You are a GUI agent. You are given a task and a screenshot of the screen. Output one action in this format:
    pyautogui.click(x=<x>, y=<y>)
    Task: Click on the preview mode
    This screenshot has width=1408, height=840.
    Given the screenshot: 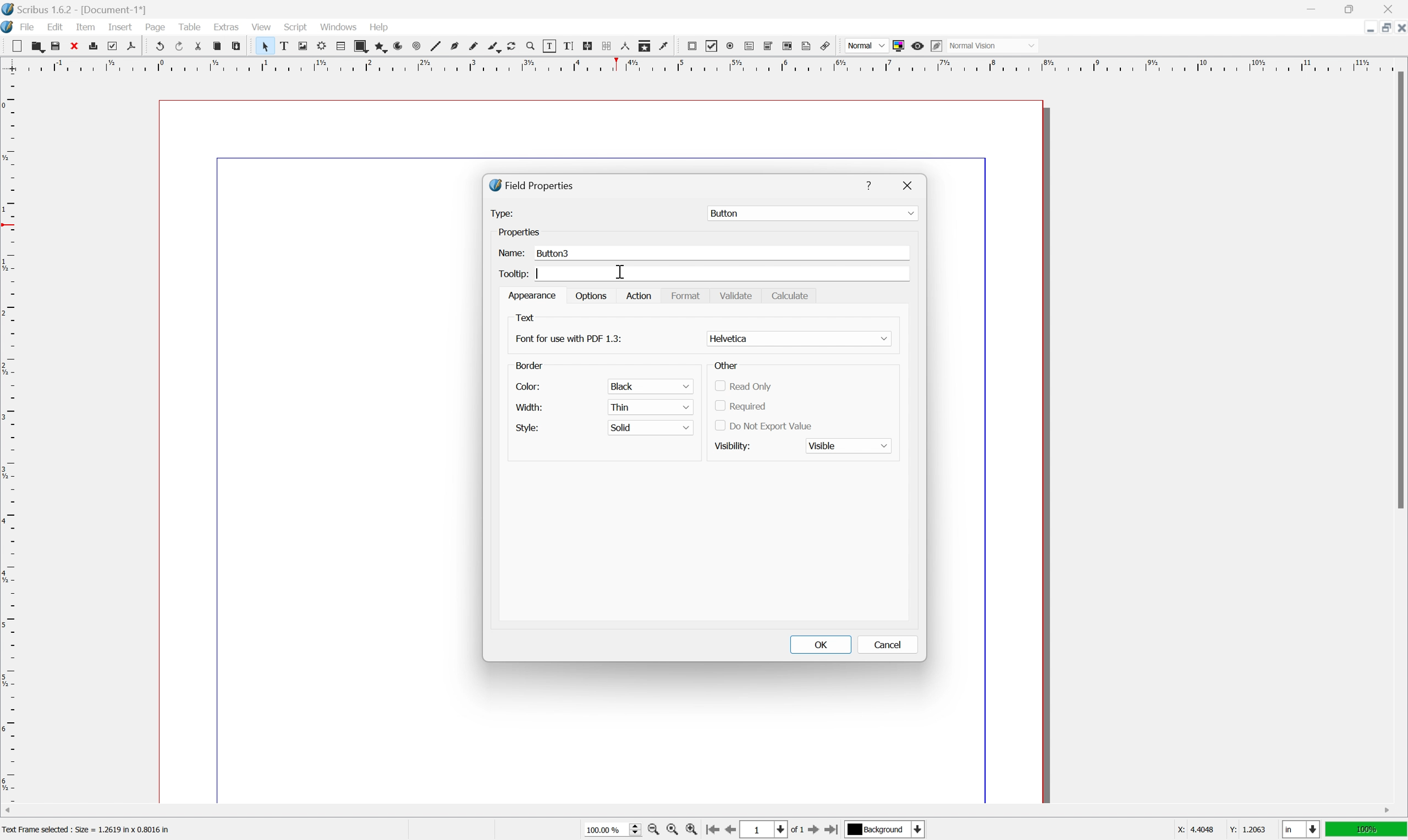 What is the action you would take?
    pyautogui.click(x=917, y=46)
    